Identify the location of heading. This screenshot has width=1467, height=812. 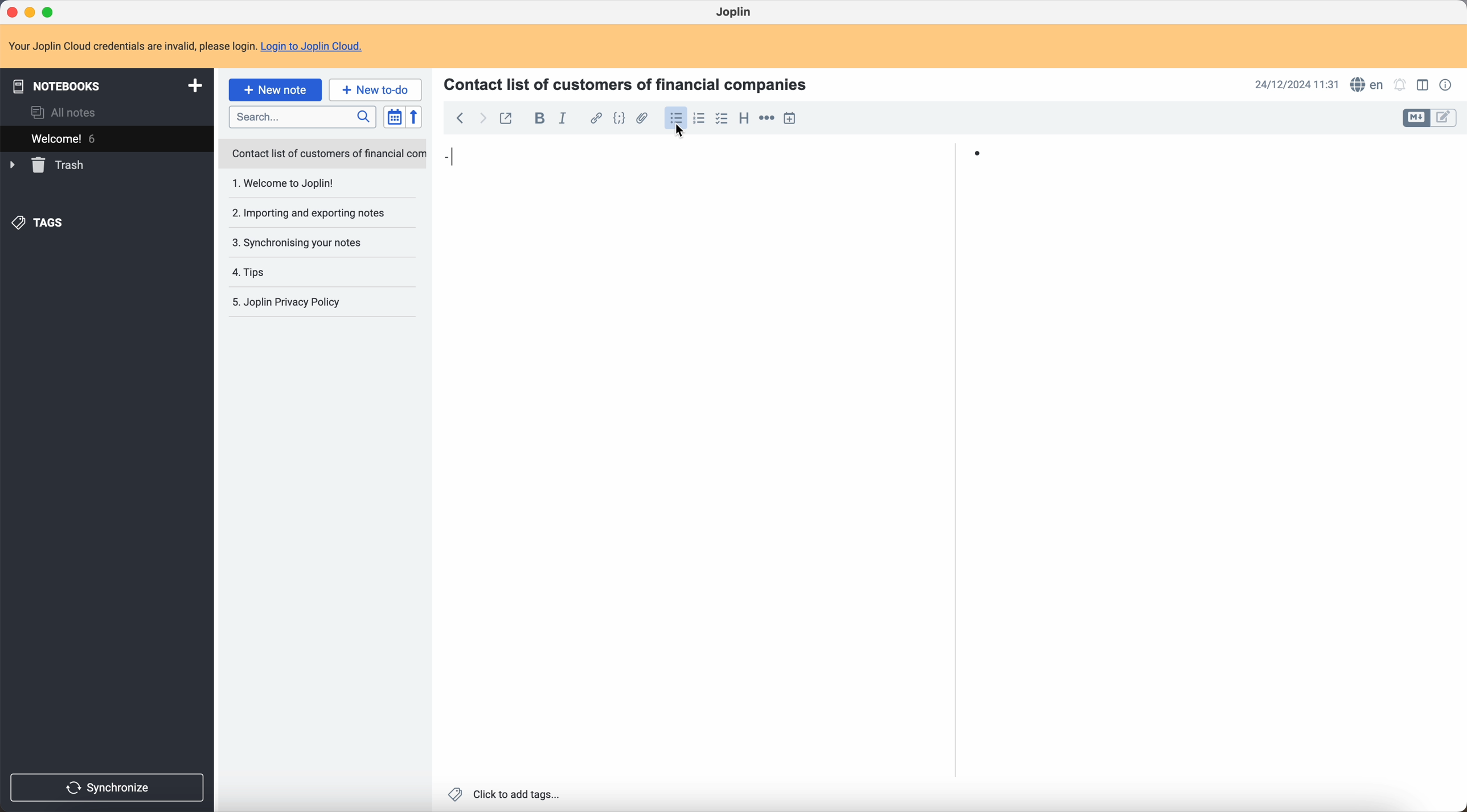
(744, 119).